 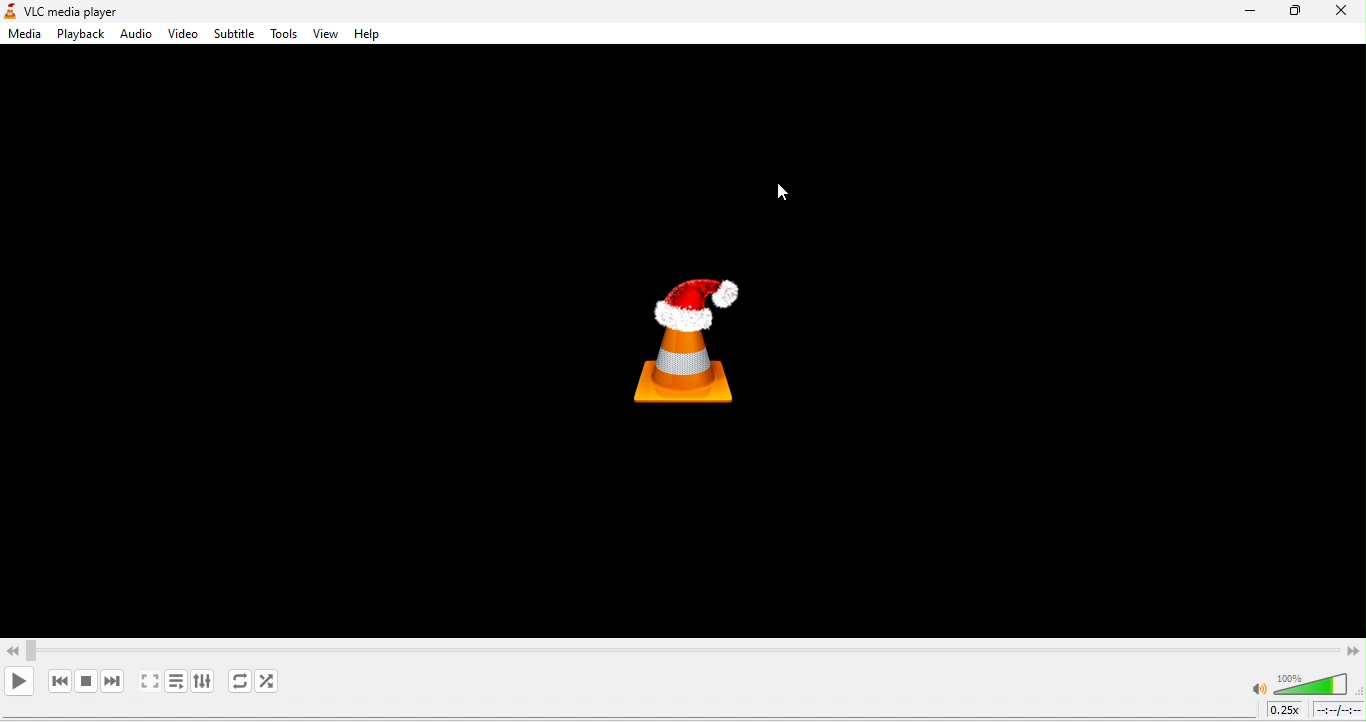 I want to click on tools, so click(x=283, y=36).